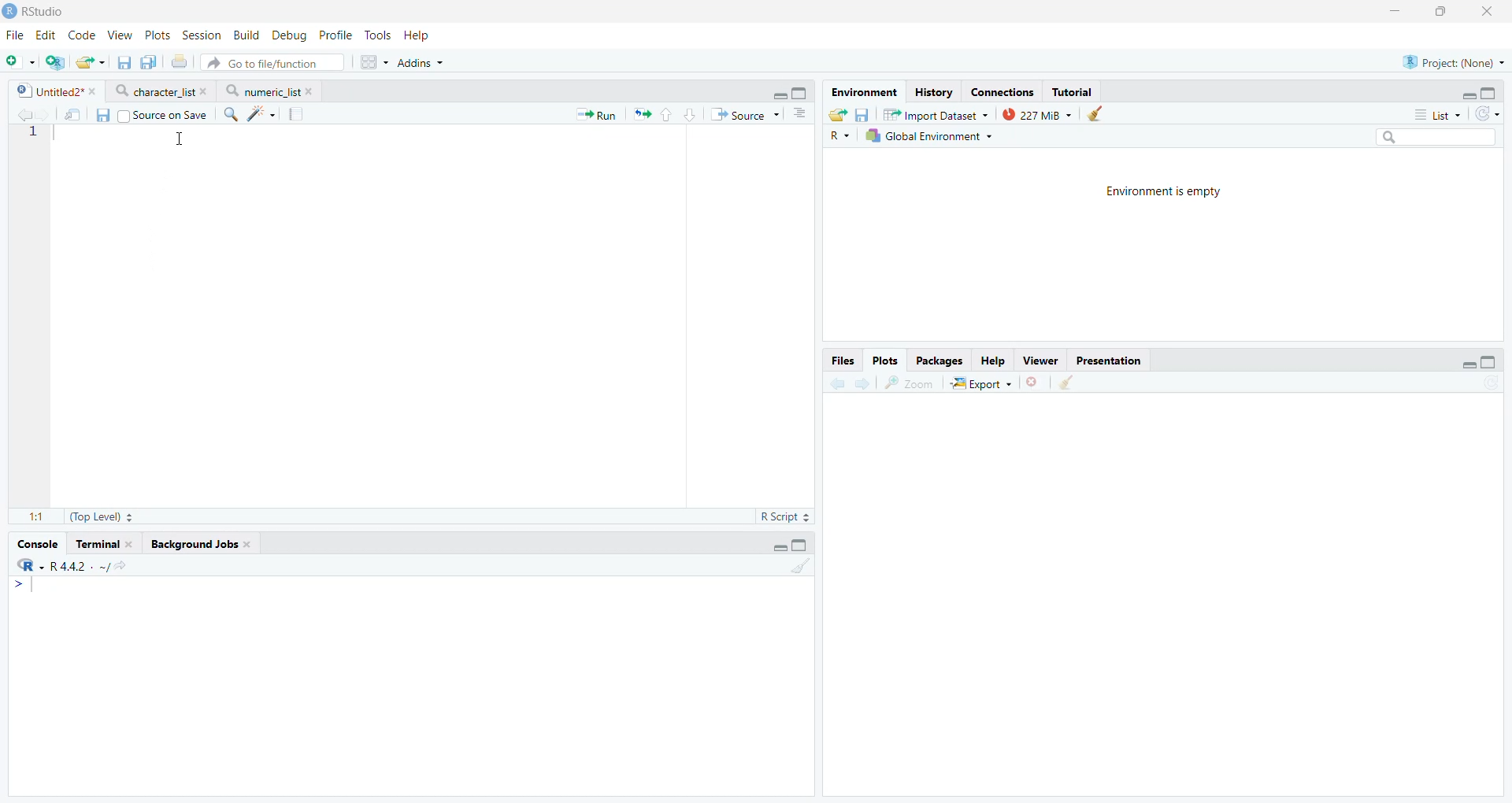 This screenshot has height=803, width=1512. Describe the element at coordinates (35, 543) in the screenshot. I see `Console` at that location.